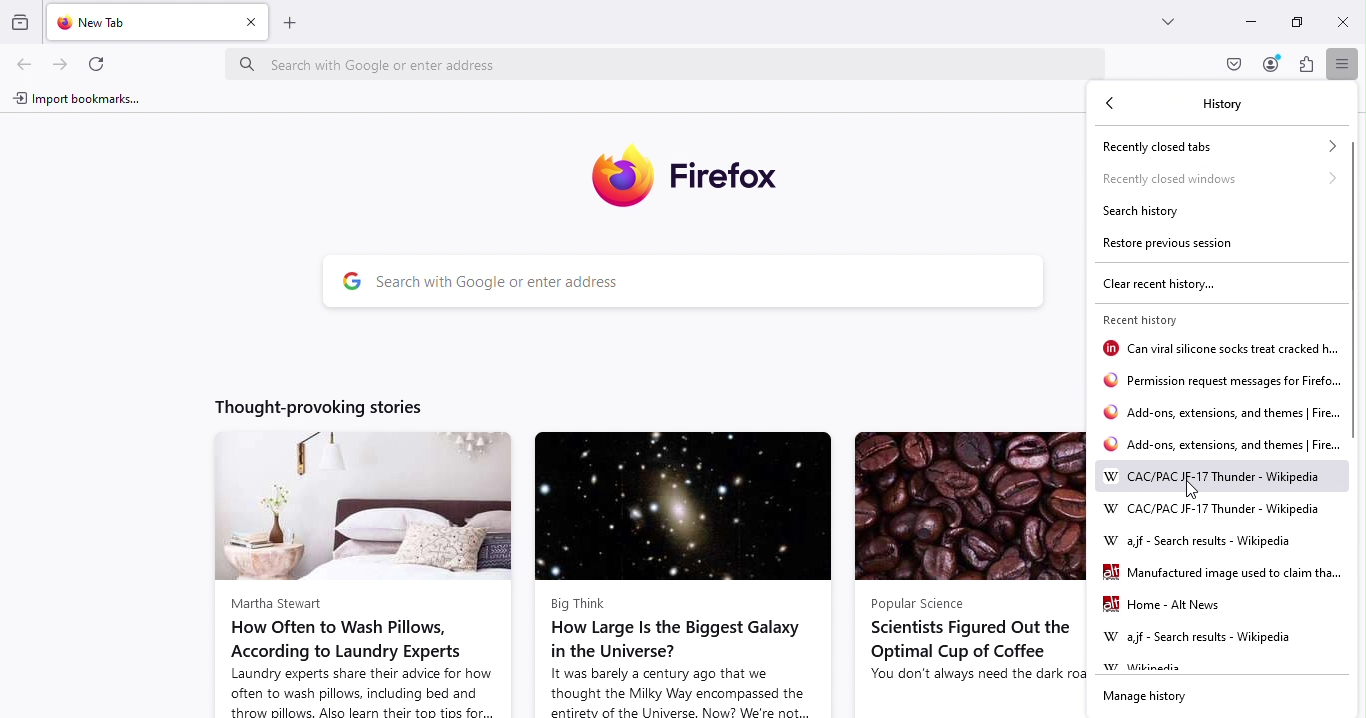  What do you see at coordinates (141, 24) in the screenshot?
I see `New tab` at bounding box center [141, 24].